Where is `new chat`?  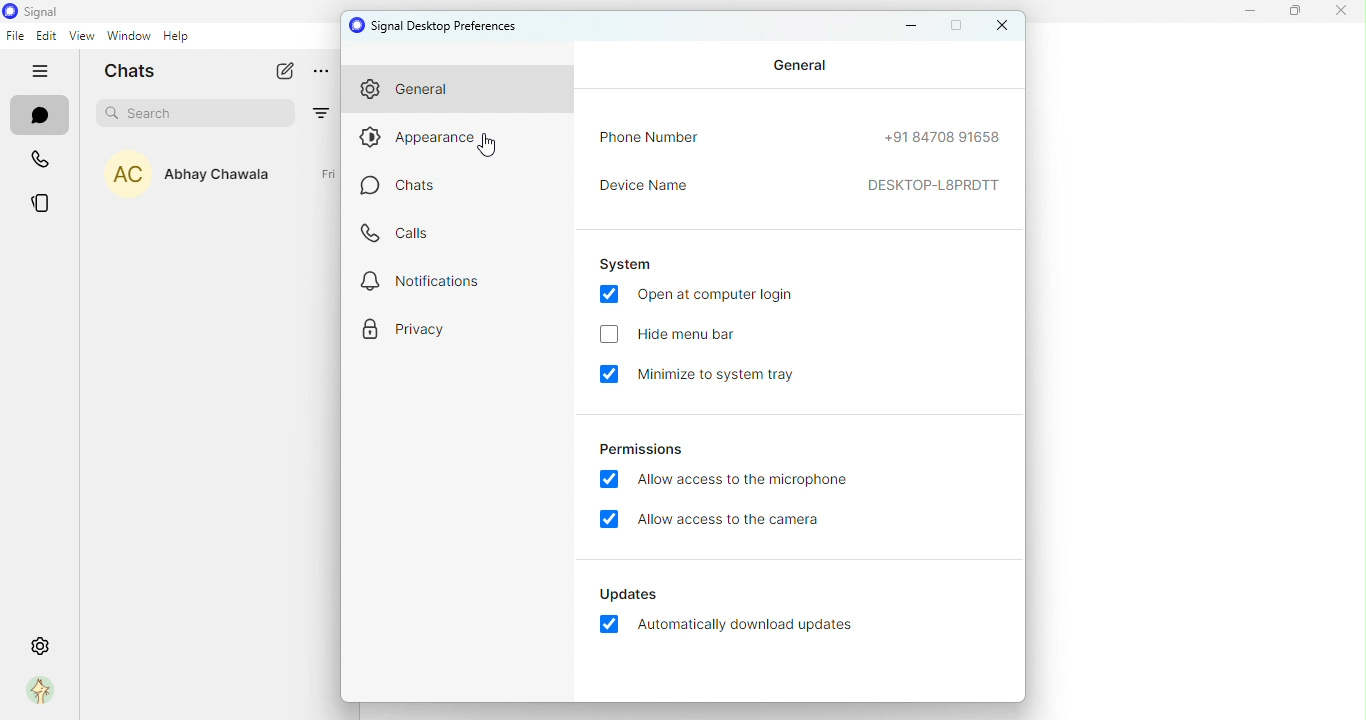
new chat is located at coordinates (284, 71).